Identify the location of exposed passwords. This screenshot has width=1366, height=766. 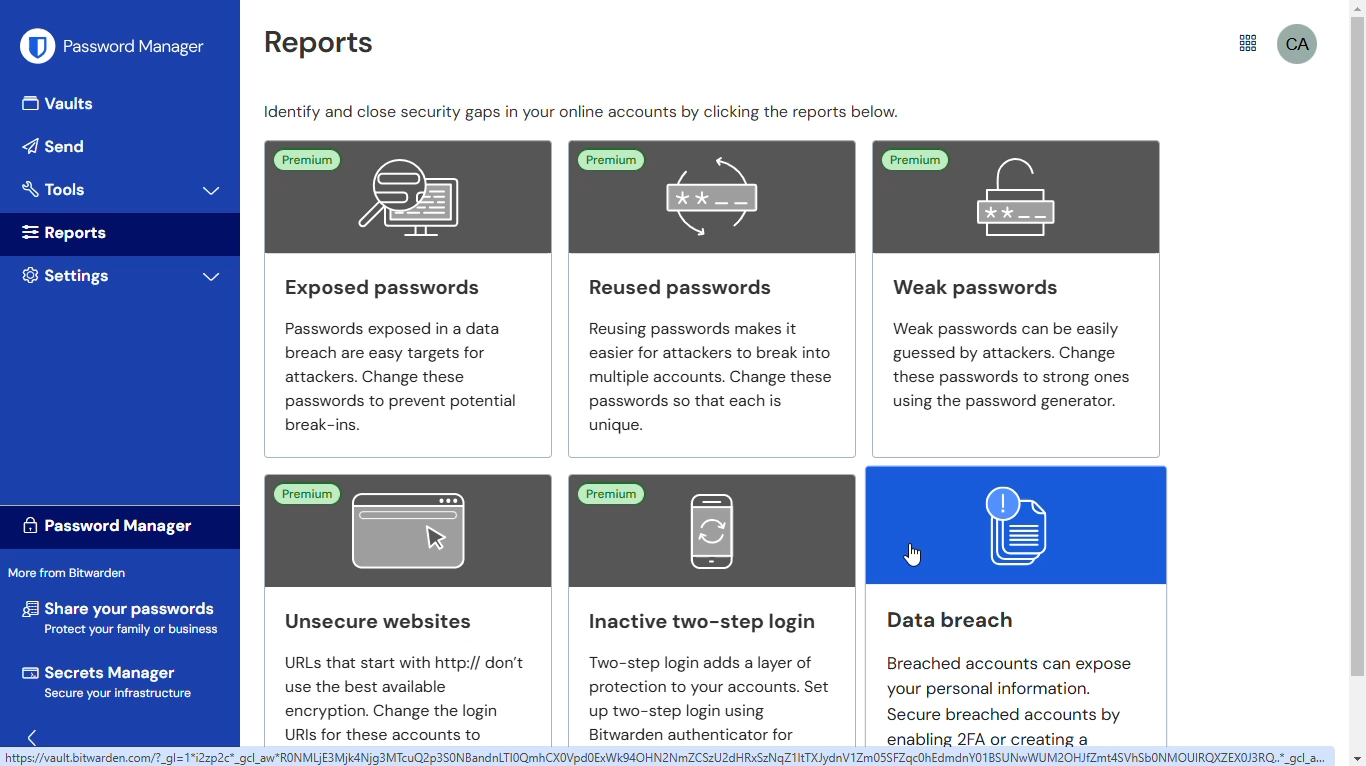
(395, 194).